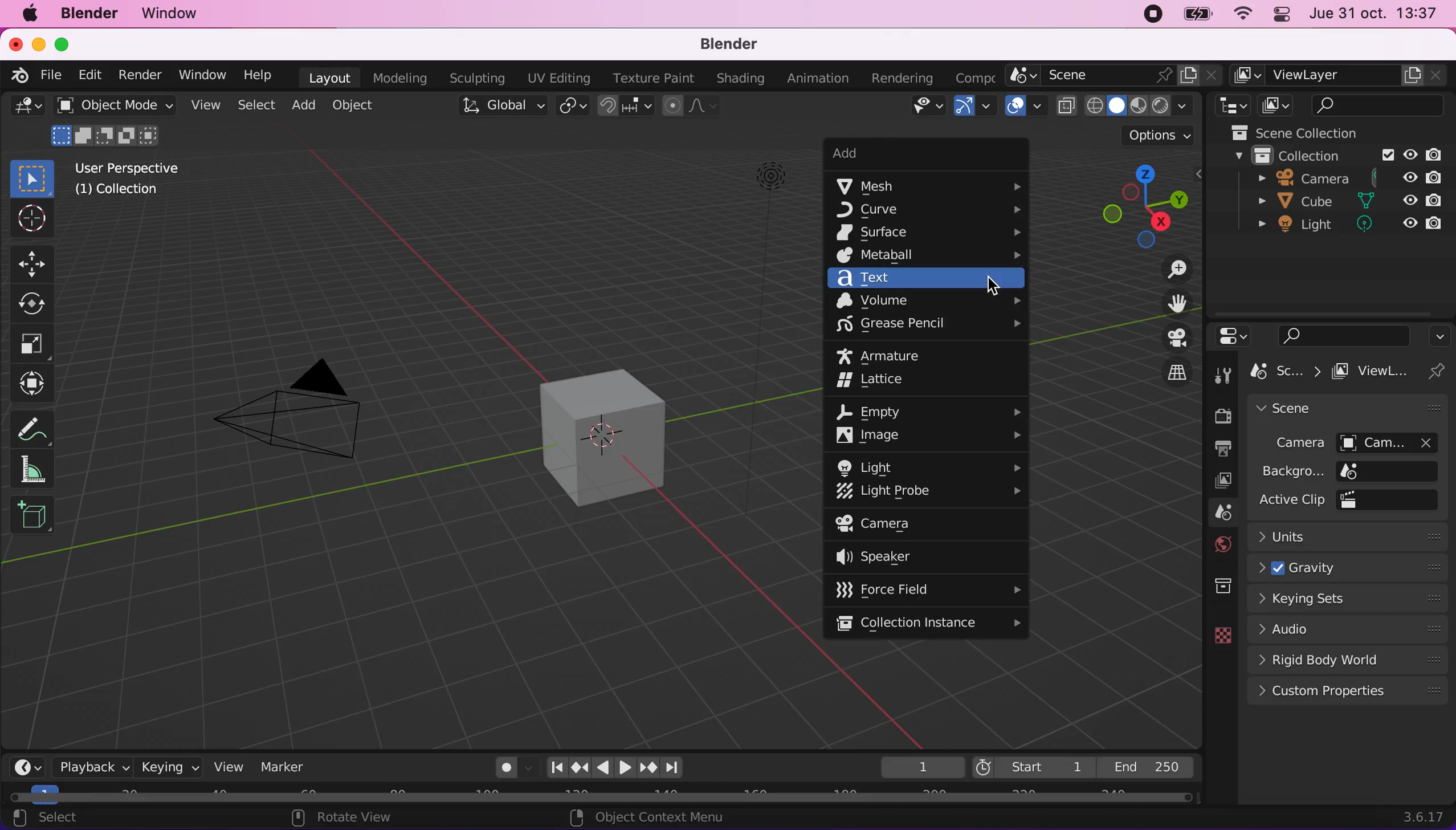 The height and width of the screenshot is (830, 1456). What do you see at coordinates (1116, 75) in the screenshot?
I see `scene` at bounding box center [1116, 75].